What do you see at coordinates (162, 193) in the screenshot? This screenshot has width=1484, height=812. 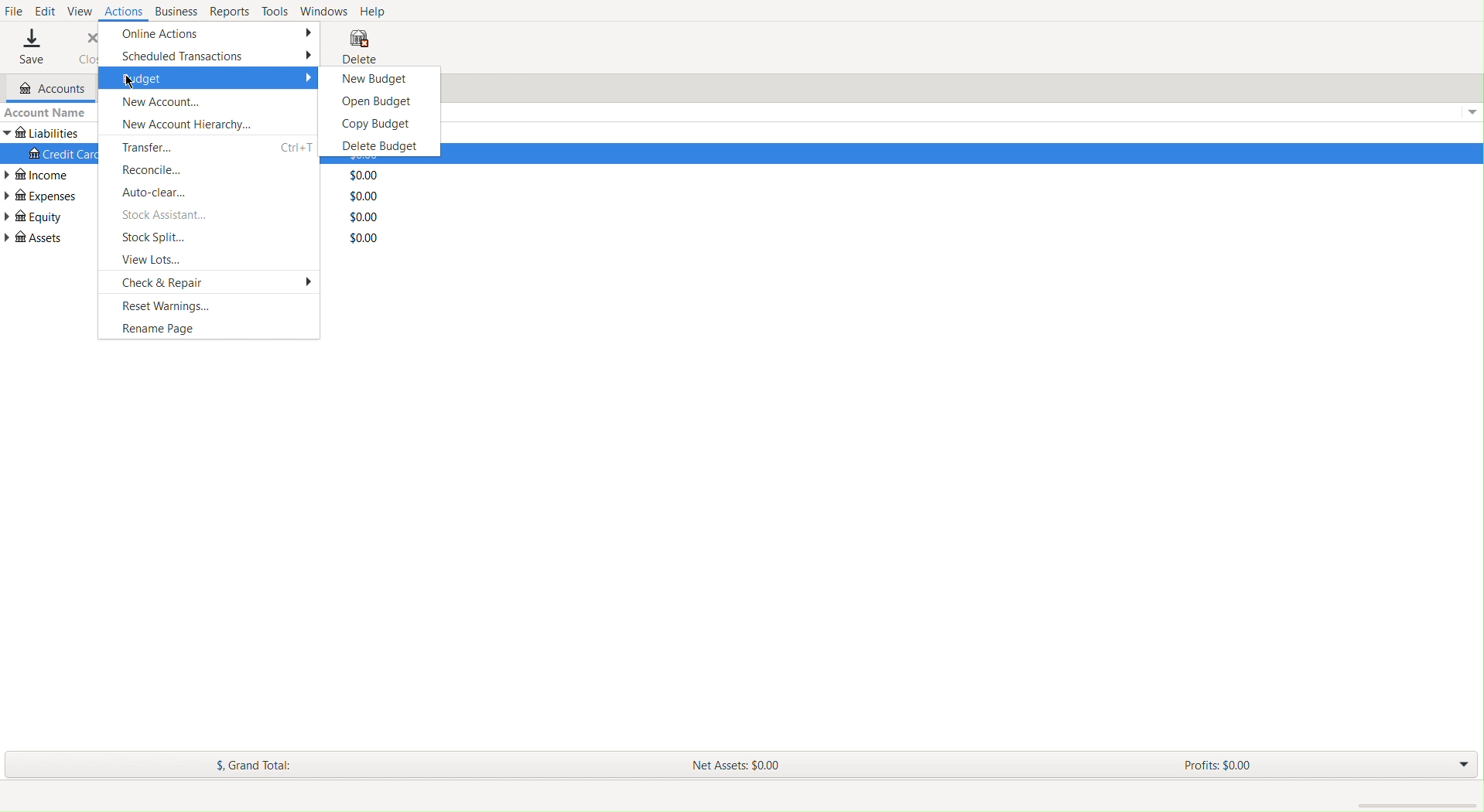 I see `Auto-clear` at bounding box center [162, 193].